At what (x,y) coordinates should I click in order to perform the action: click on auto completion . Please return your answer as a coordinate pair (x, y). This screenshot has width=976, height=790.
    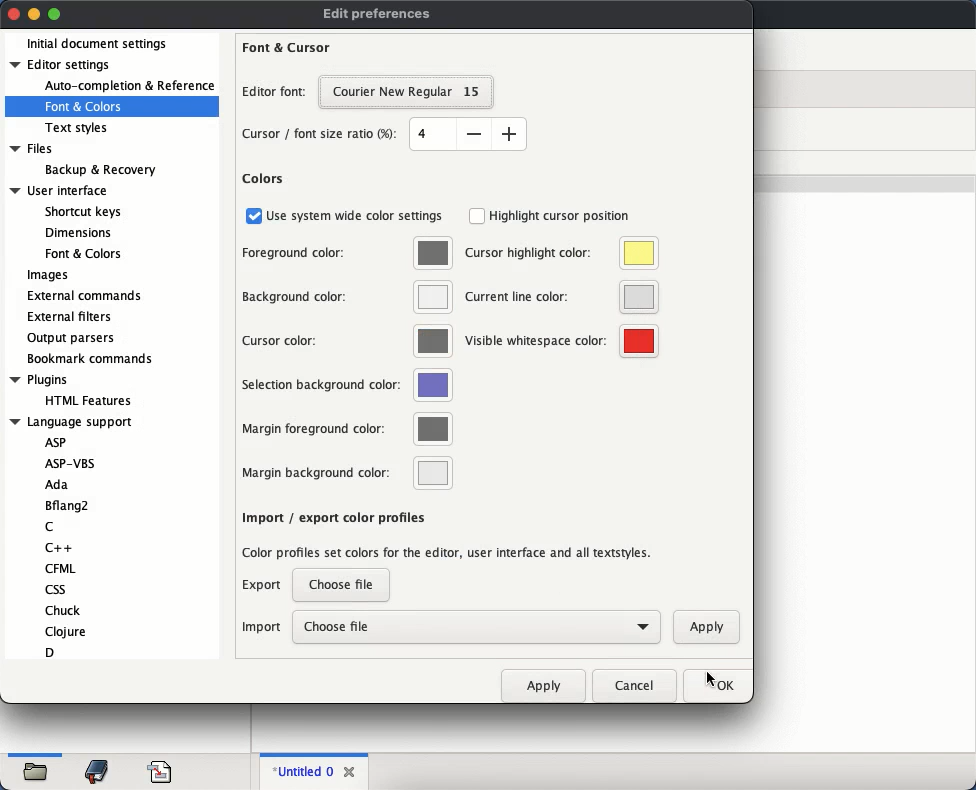
    Looking at the image, I should click on (129, 86).